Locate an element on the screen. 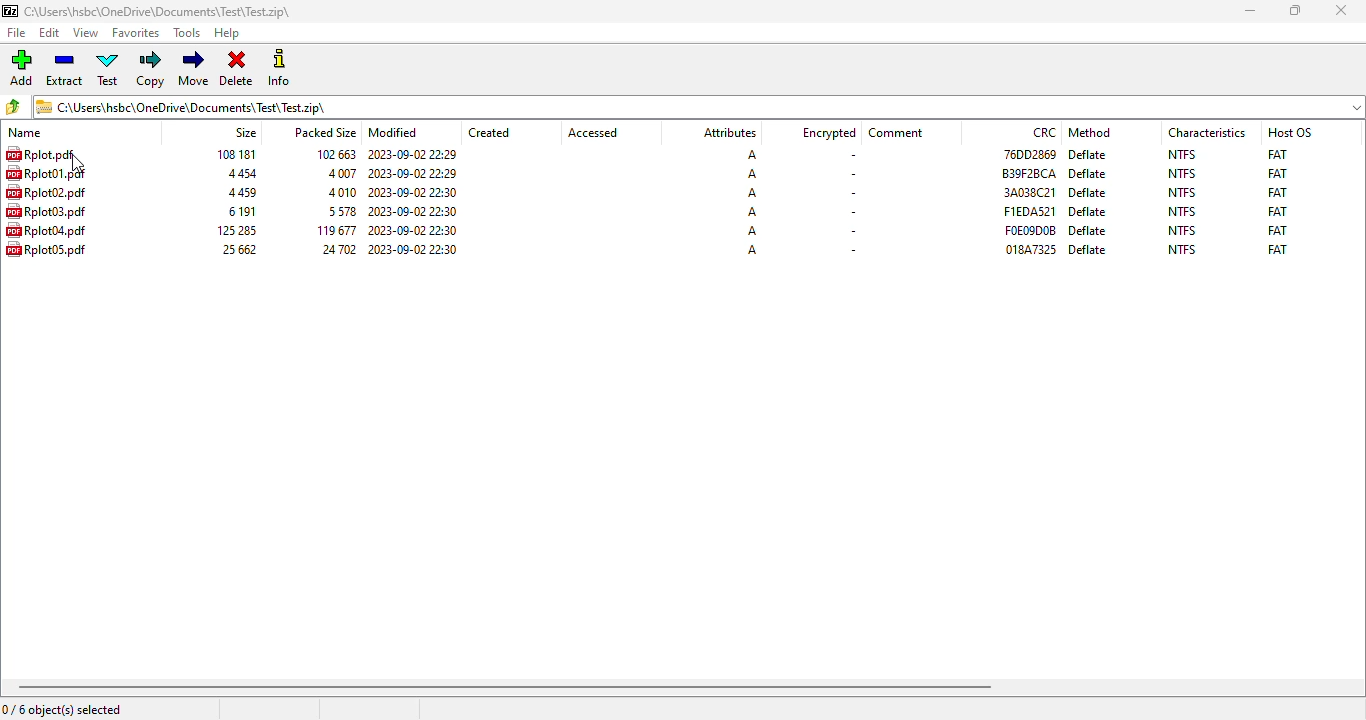 Image resolution: width=1366 pixels, height=720 pixels. CRC is located at coordinates (1045, 132).